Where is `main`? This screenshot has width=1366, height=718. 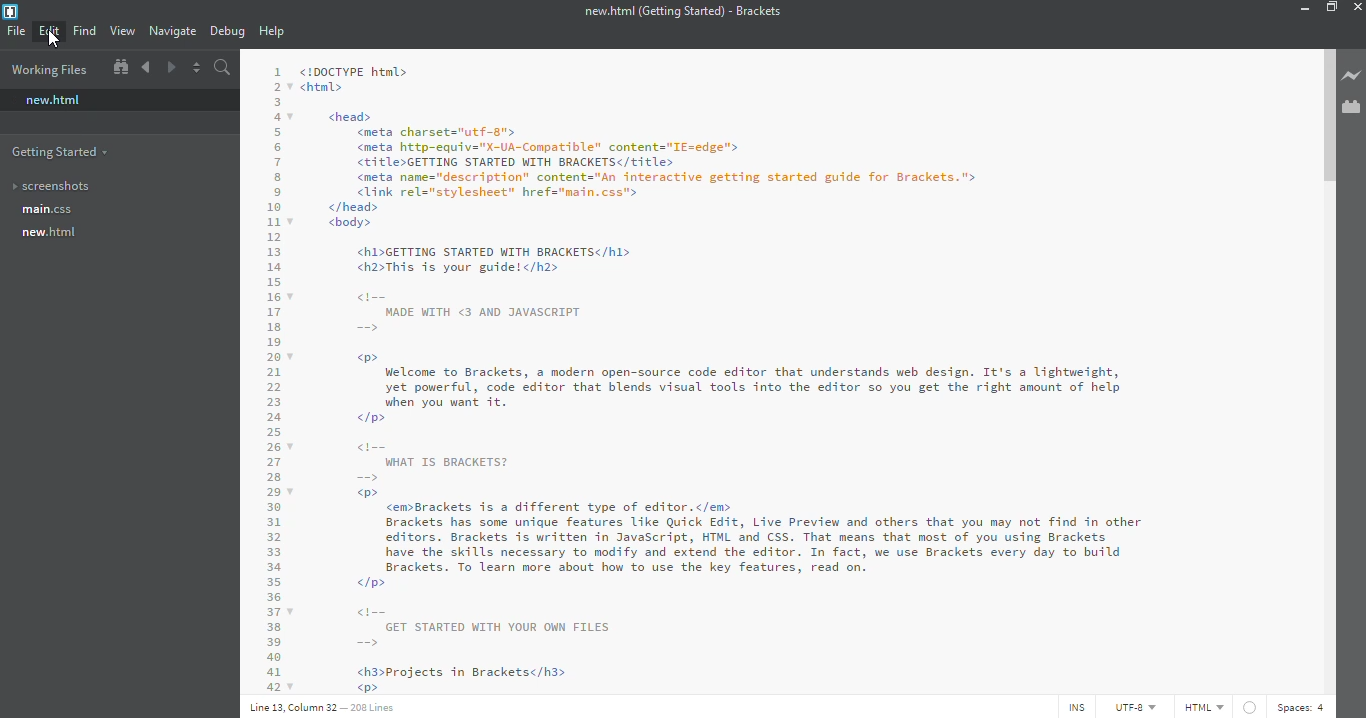 main is located at coordinates (49, 210).